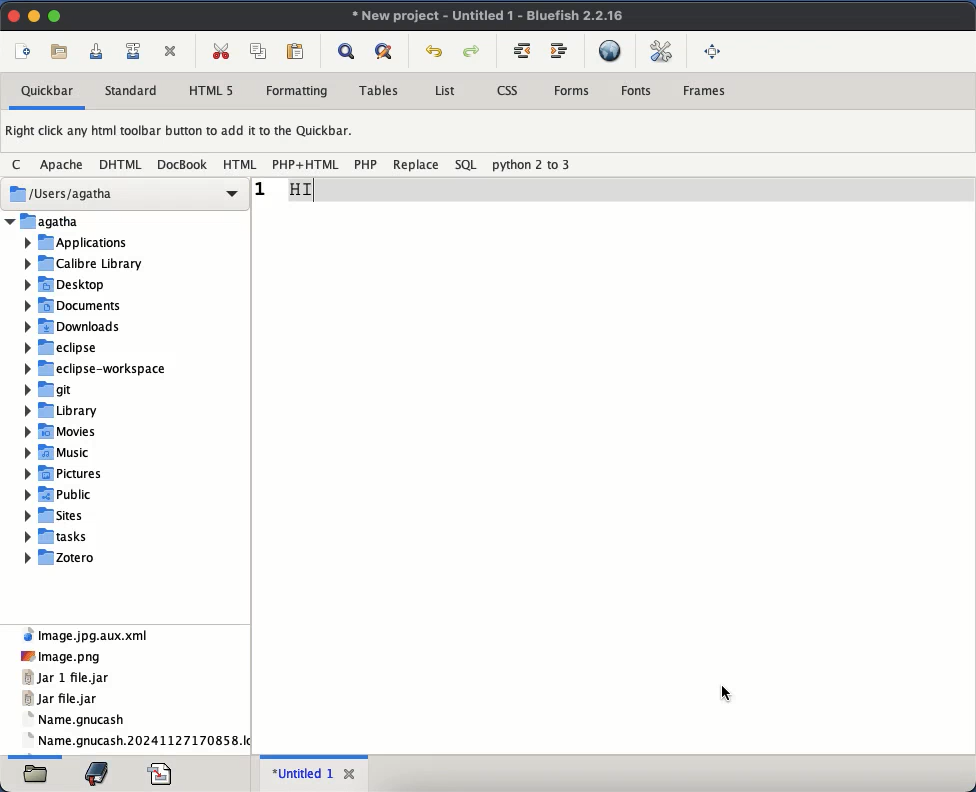 Image resolution: width=976 pixels, height=792 pixels. I want to click on minimize, so click(34, 17).